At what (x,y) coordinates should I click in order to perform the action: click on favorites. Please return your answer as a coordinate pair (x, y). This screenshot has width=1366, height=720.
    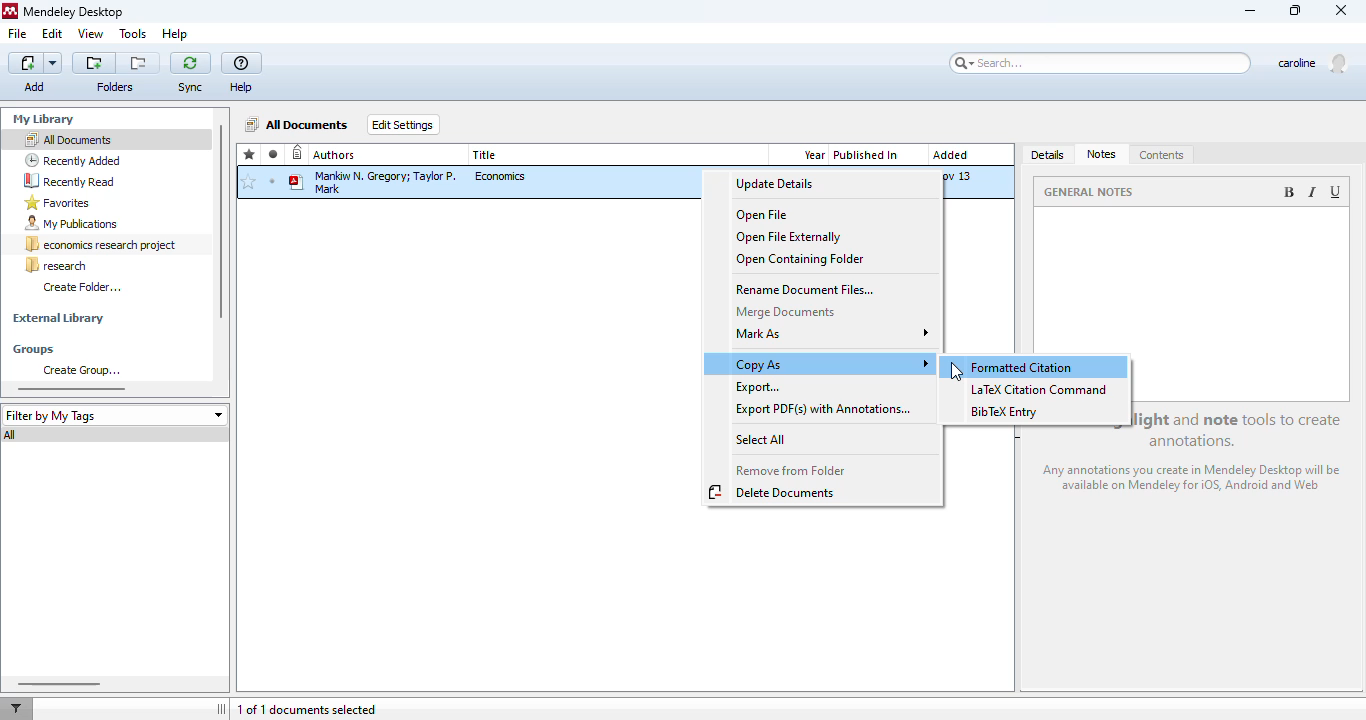
    Looking at the image, I should click on (58, 203).